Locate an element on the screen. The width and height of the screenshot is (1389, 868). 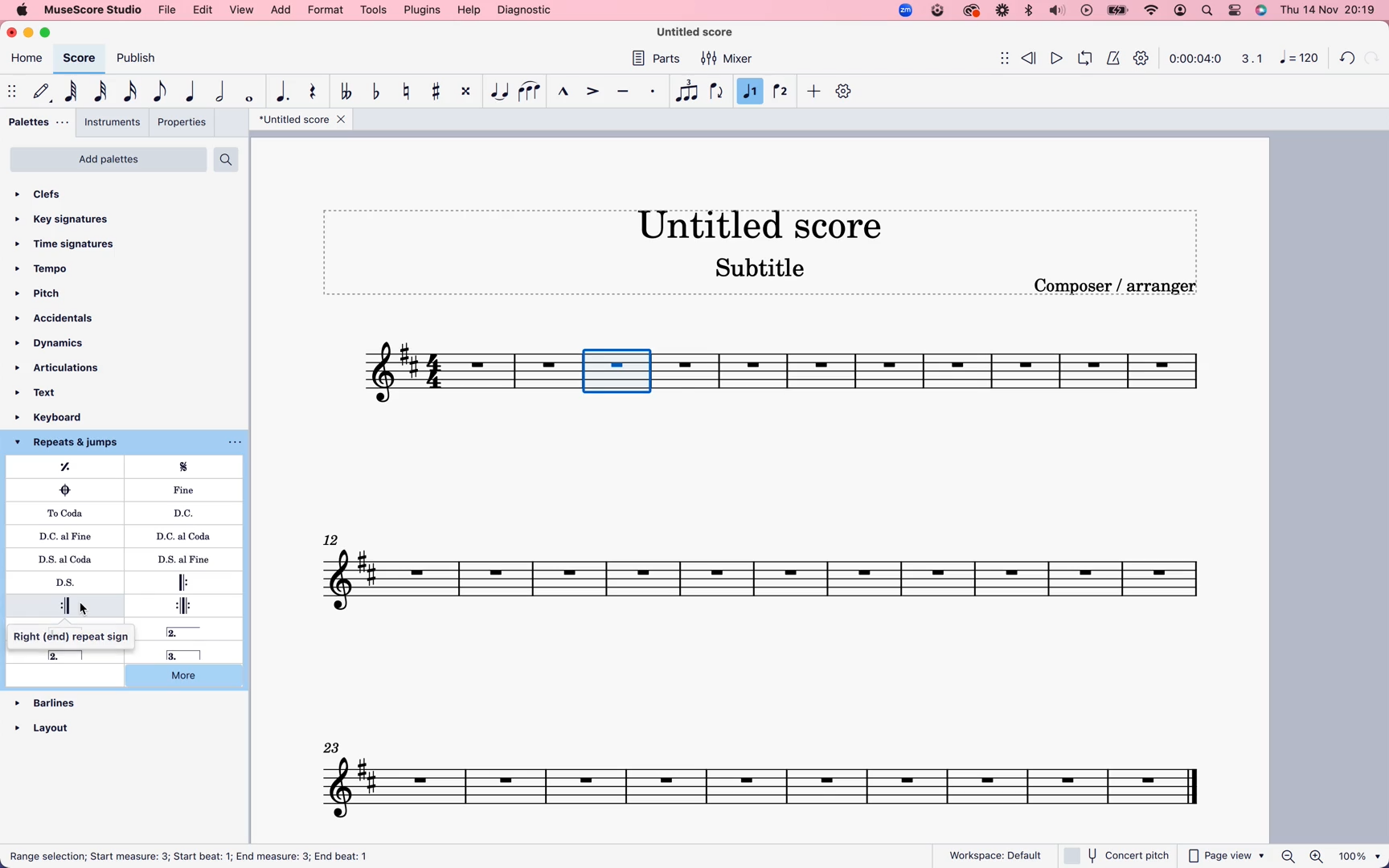
maximize is located at coordinates (50, 33).